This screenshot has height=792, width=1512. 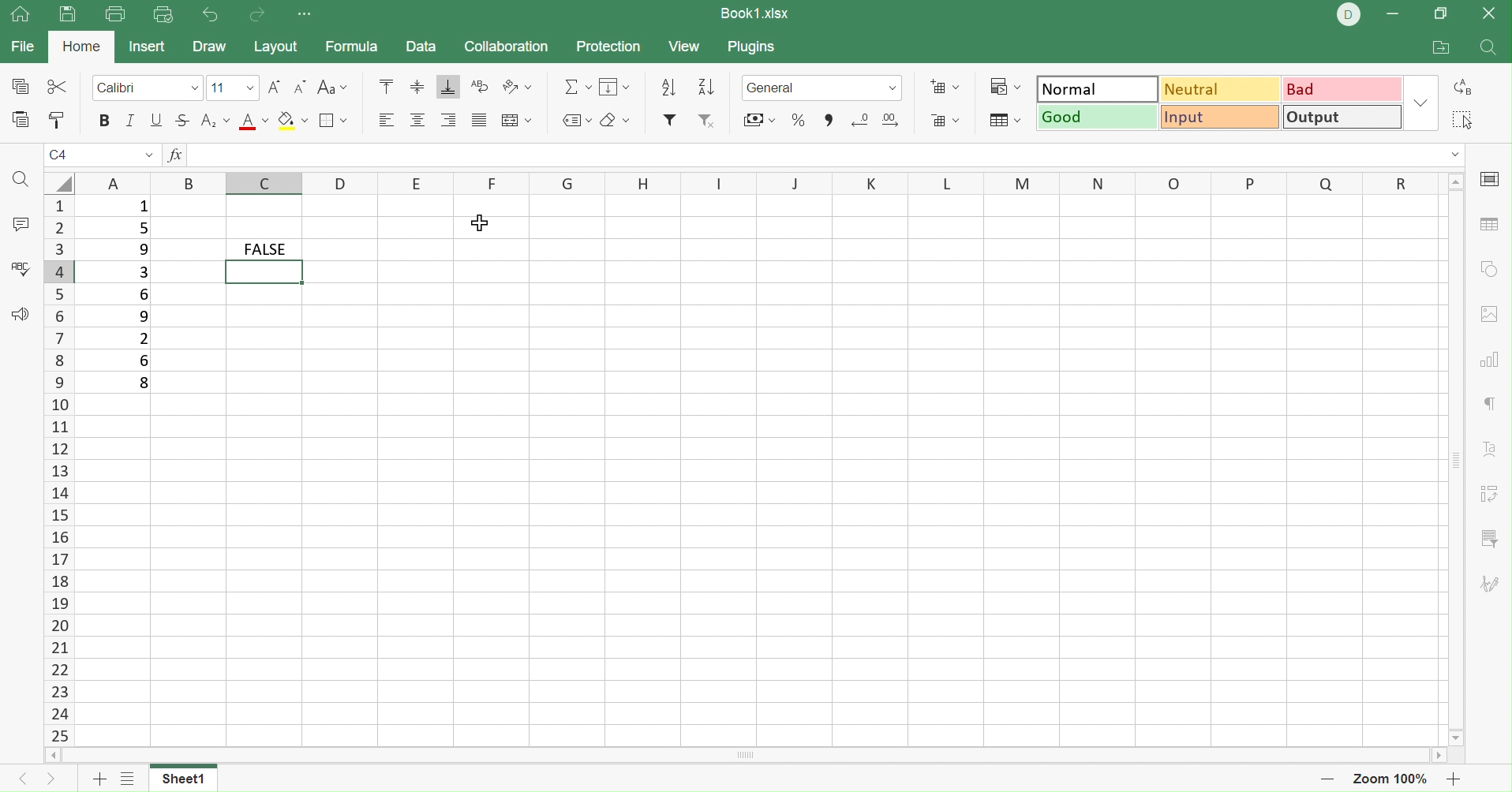 What do you see at coordinates (68, 17) in the screenshot?
I see `Save` at bounding box center [68, 17].